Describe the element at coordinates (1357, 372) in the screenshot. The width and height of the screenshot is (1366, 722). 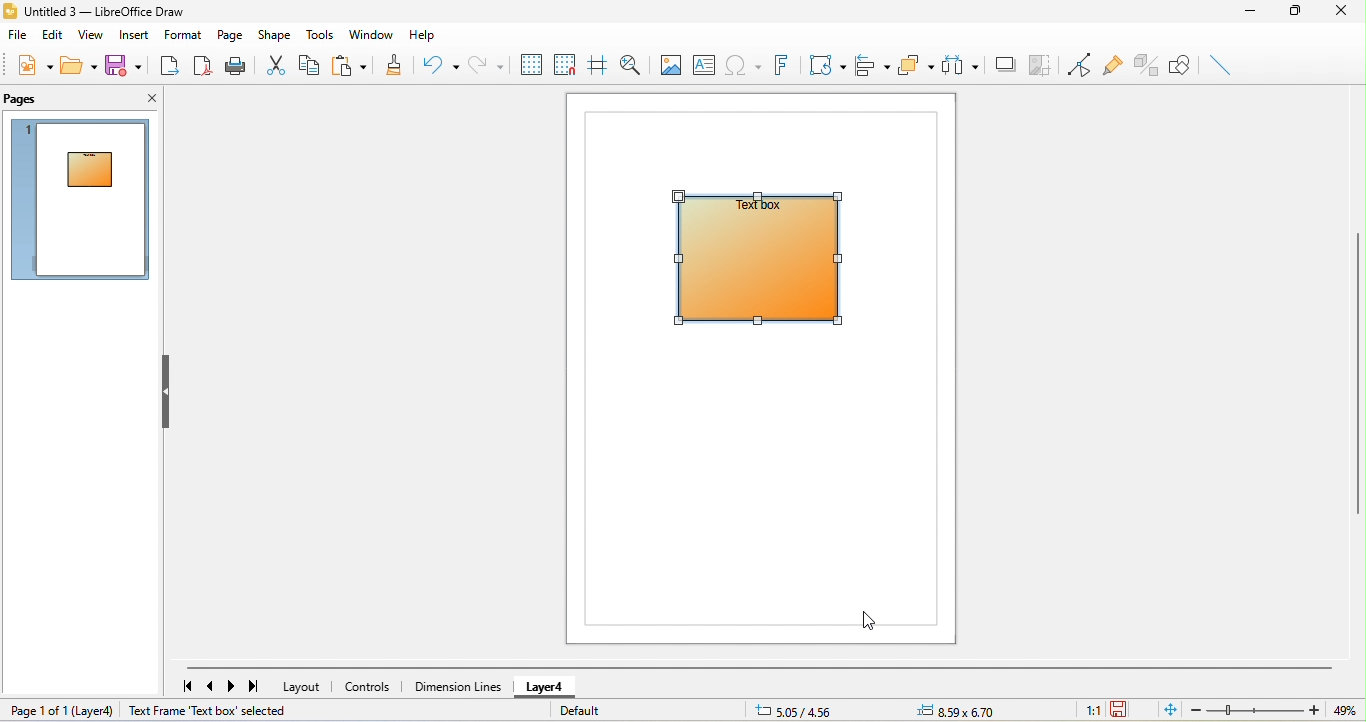
I see `vertical scroll bar` at that location.